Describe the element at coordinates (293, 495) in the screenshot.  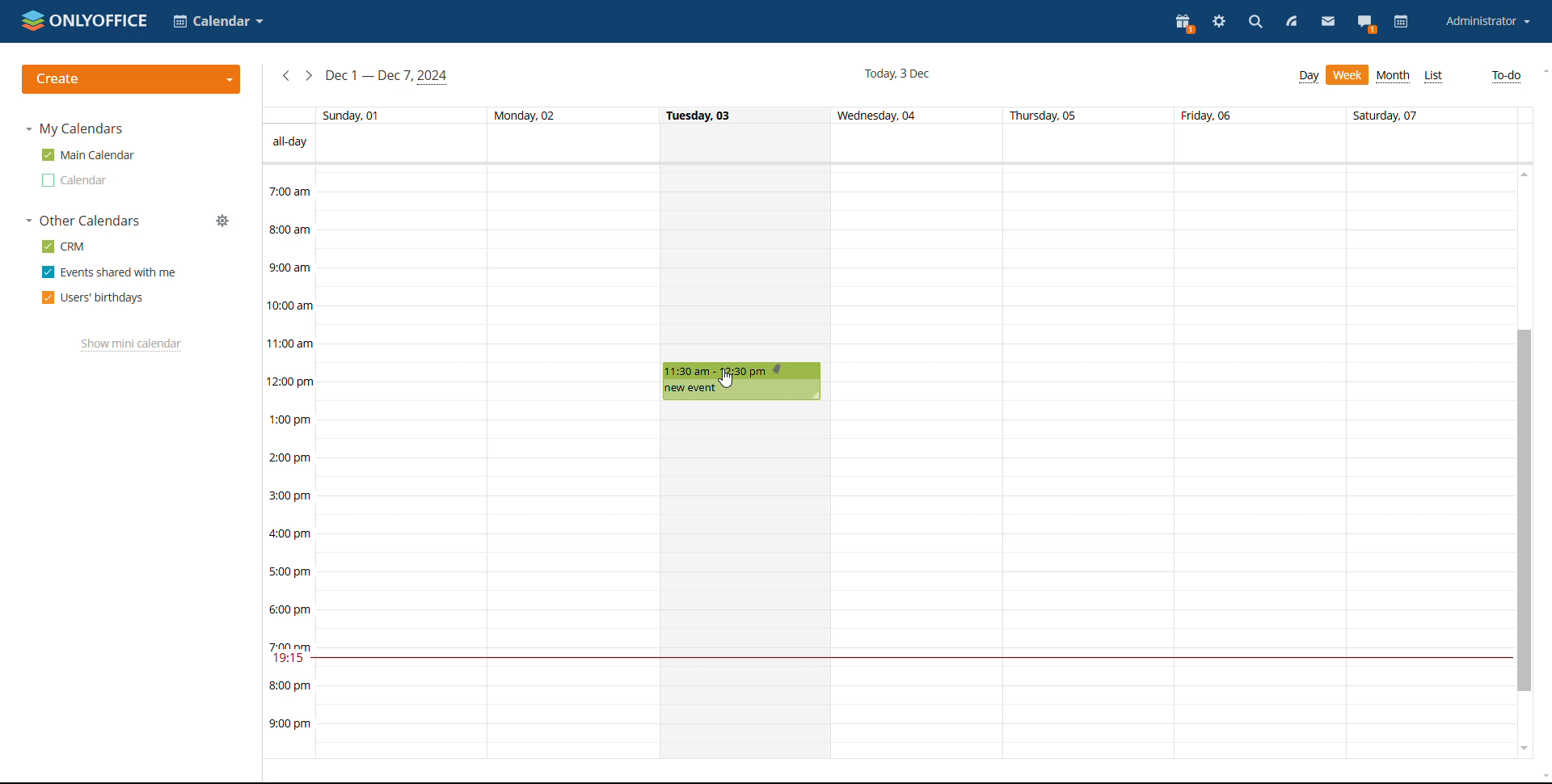
I see `3:00 pm` at that location.